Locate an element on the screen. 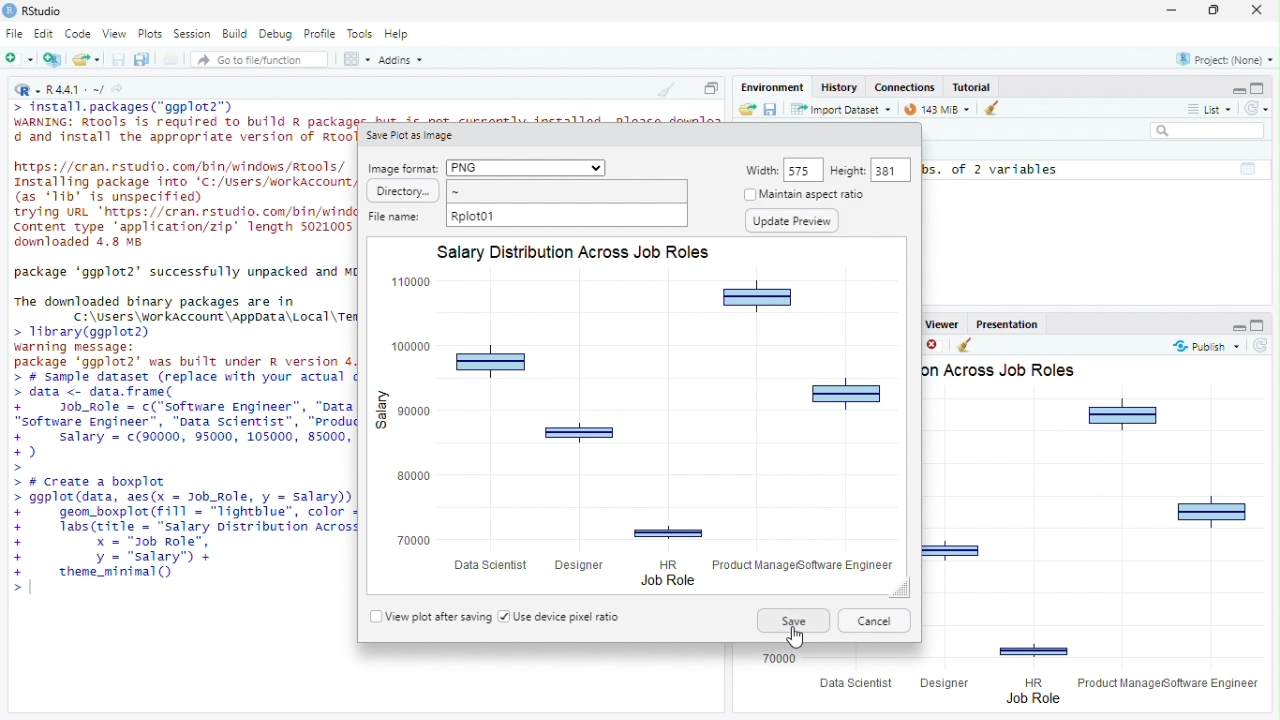 Image resolution: width=1280 pixels, height=720 pixels. cancel is located at coordinates (873, 622).